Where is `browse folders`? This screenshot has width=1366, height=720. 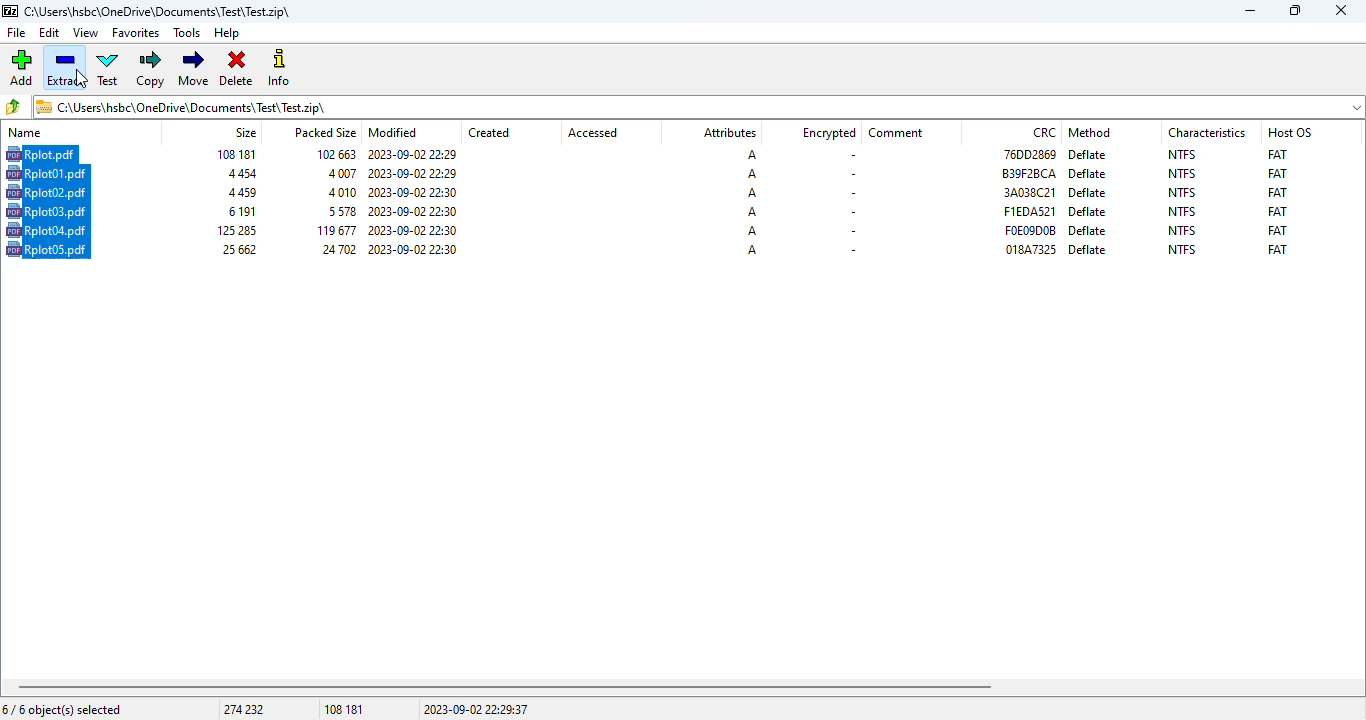 browse folders is located at coordinates (14, 107).